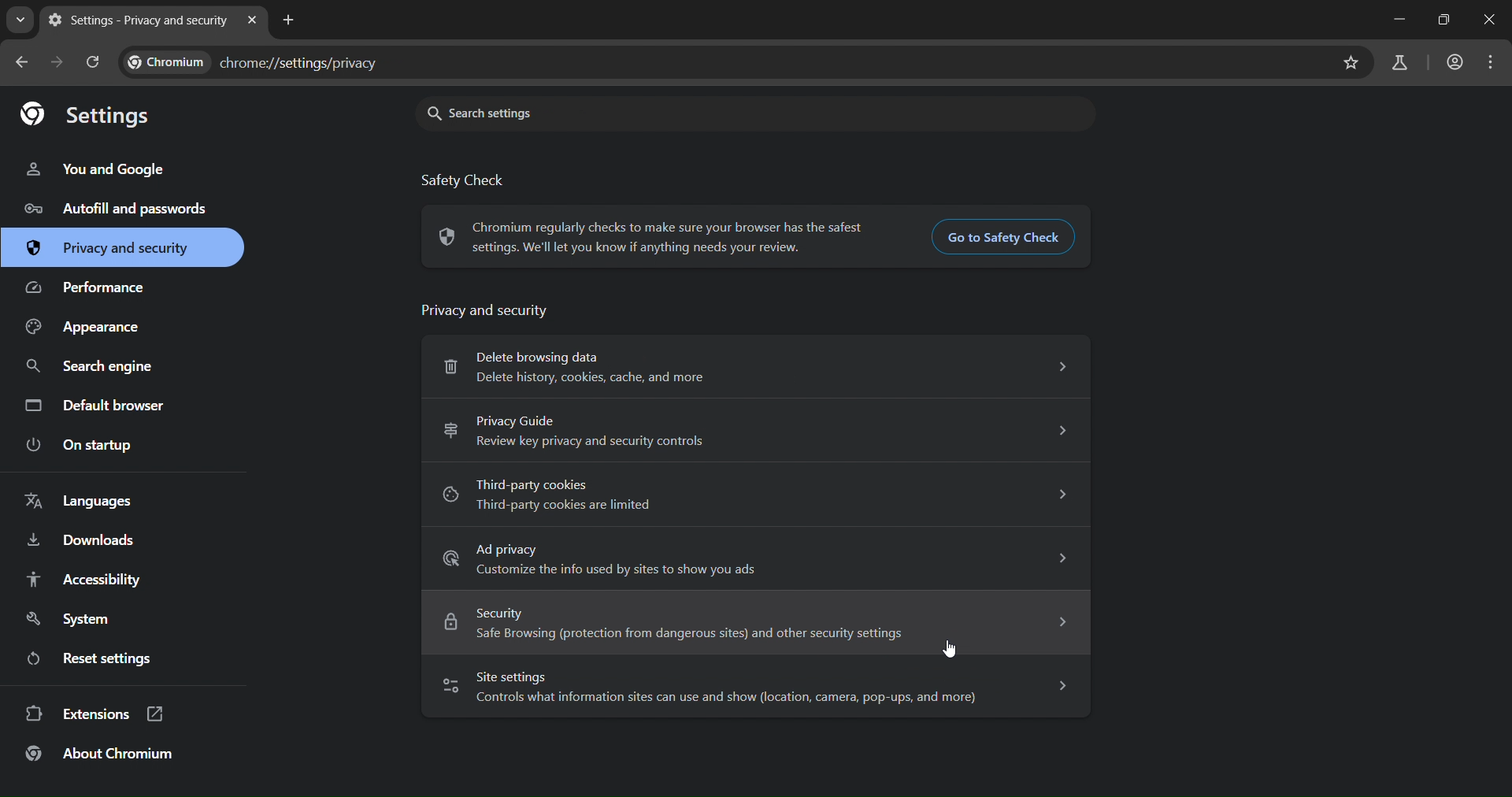 The image size is (1512, 797). Describe the element at coordinates (98, 365) in the screenshot. I see `search engine` at that location.